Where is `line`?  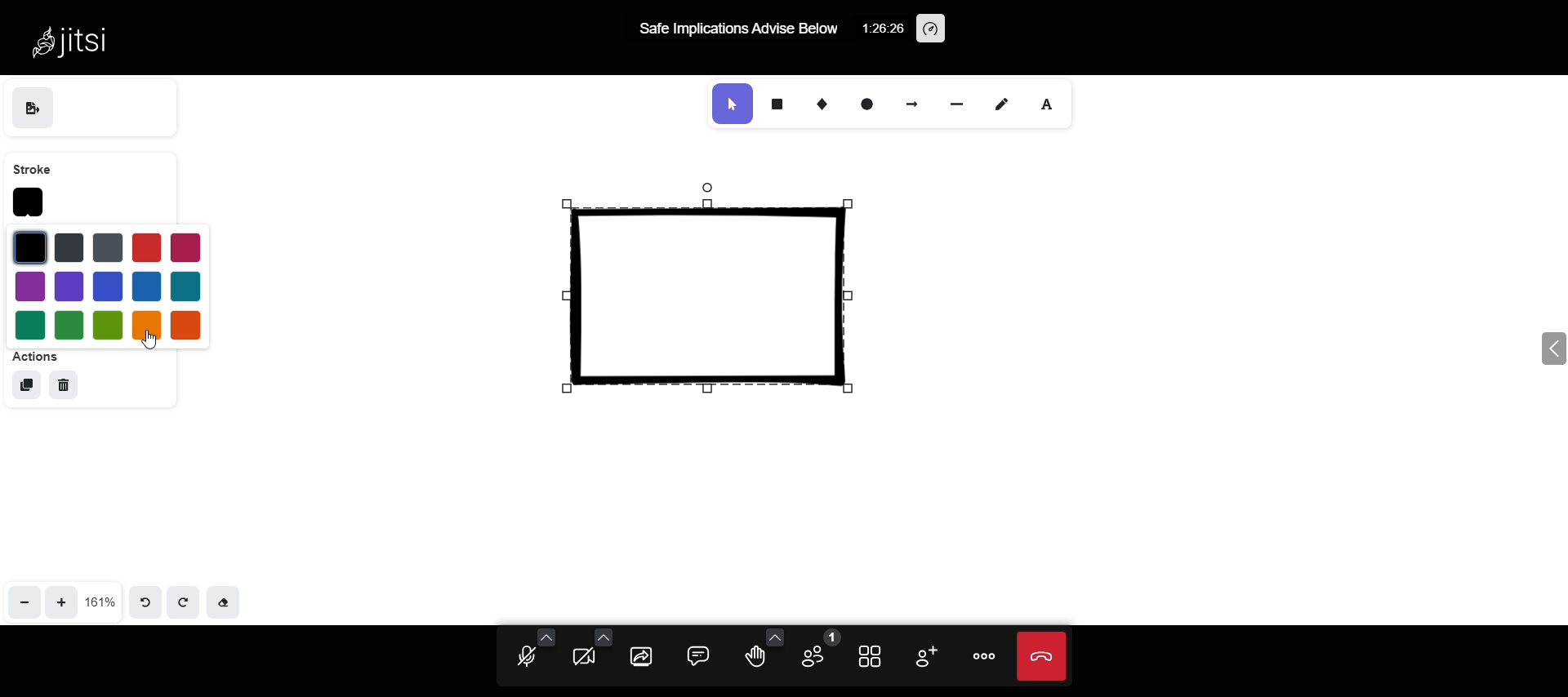 line is located at coordinates (953, 104).